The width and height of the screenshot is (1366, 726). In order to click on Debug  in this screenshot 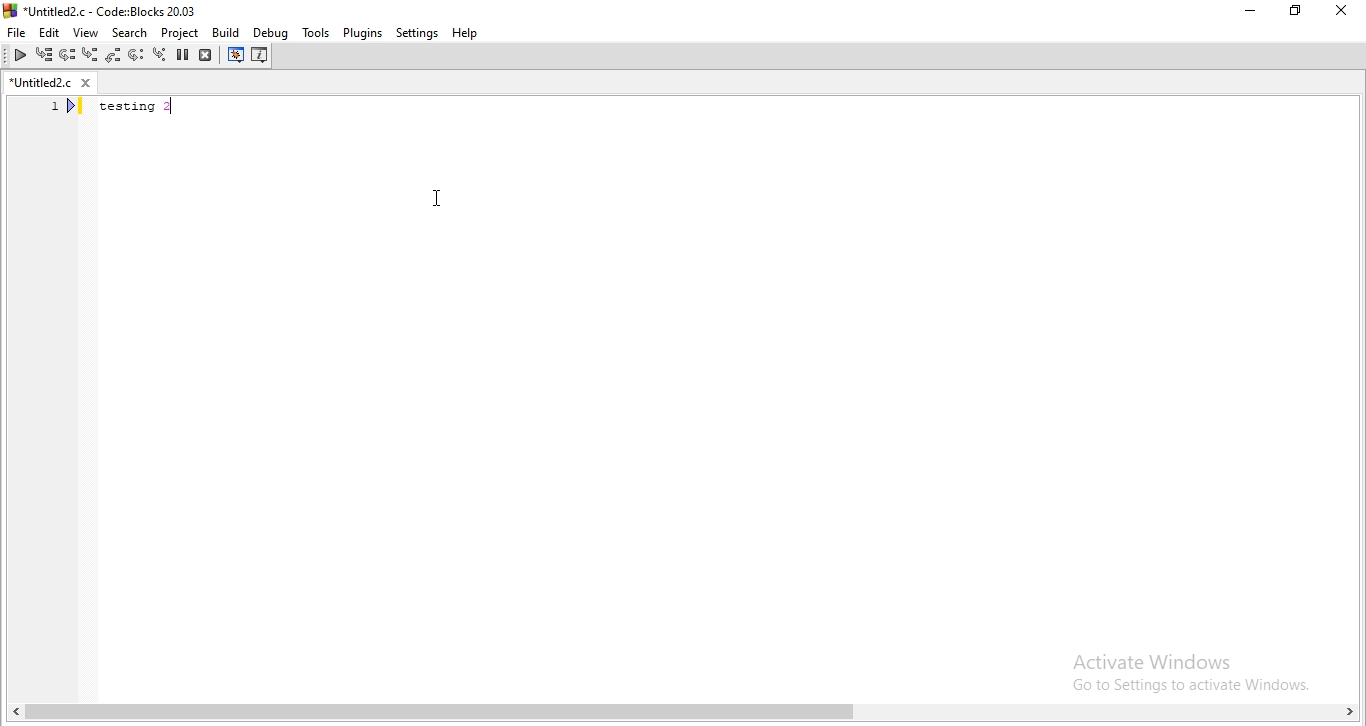, I will do `click(271, 33)`.